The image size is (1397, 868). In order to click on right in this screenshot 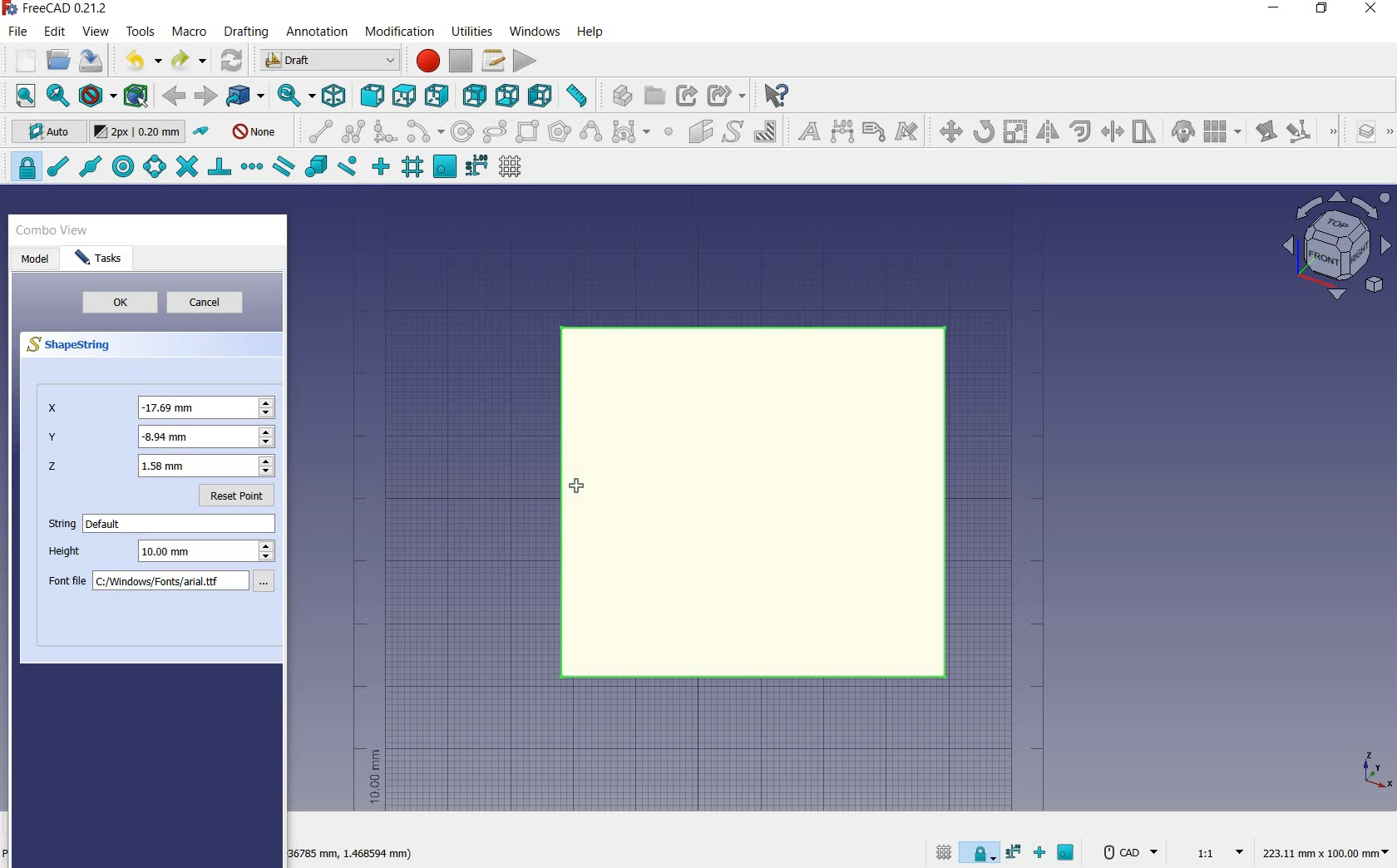, I will do `click(440, 96)`.